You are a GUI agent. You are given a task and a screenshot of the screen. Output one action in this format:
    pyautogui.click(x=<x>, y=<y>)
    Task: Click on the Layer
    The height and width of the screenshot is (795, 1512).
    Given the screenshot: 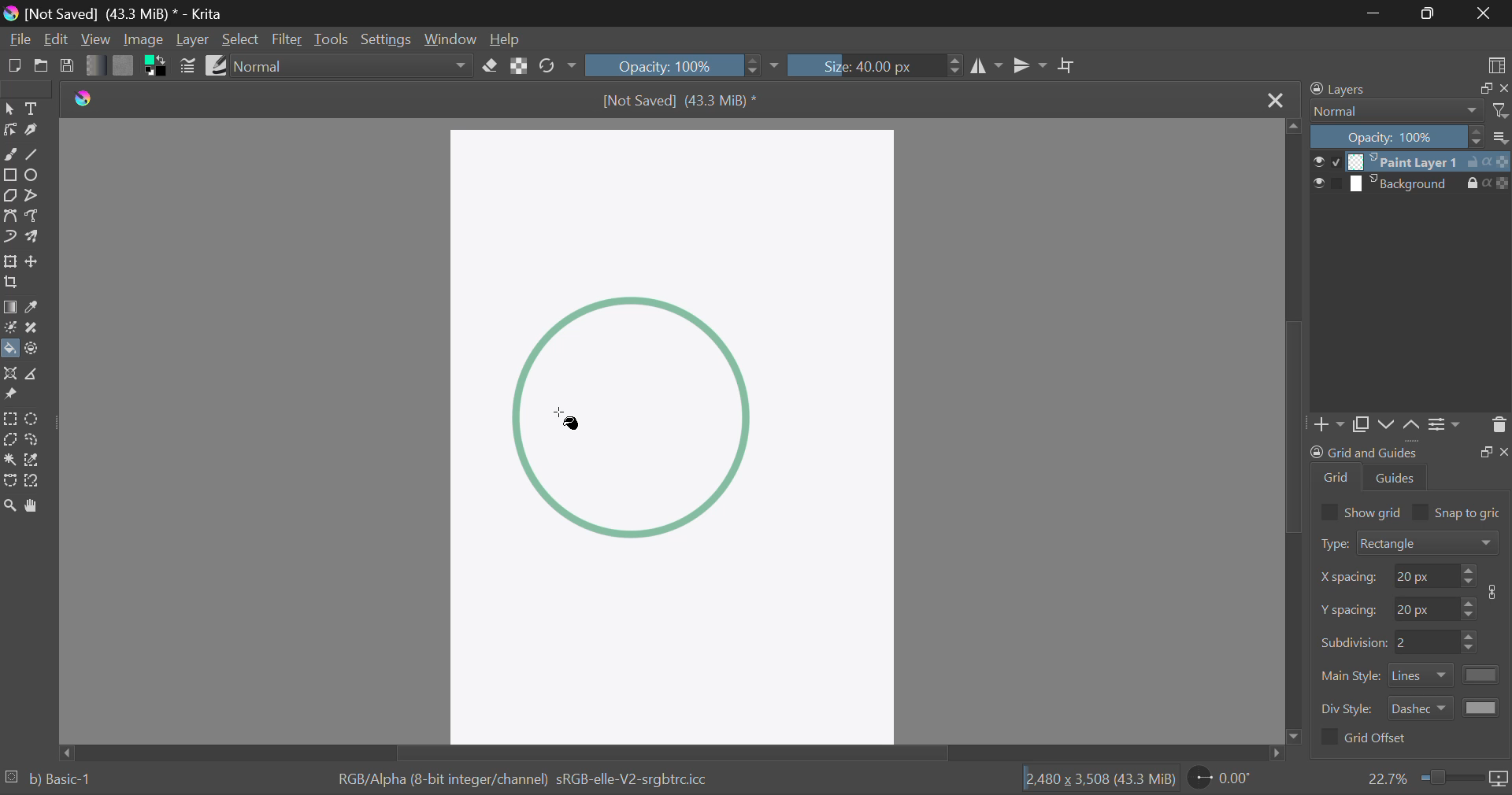 What is the action you would take?
    pyautogui.click(x=193, y=41)
    